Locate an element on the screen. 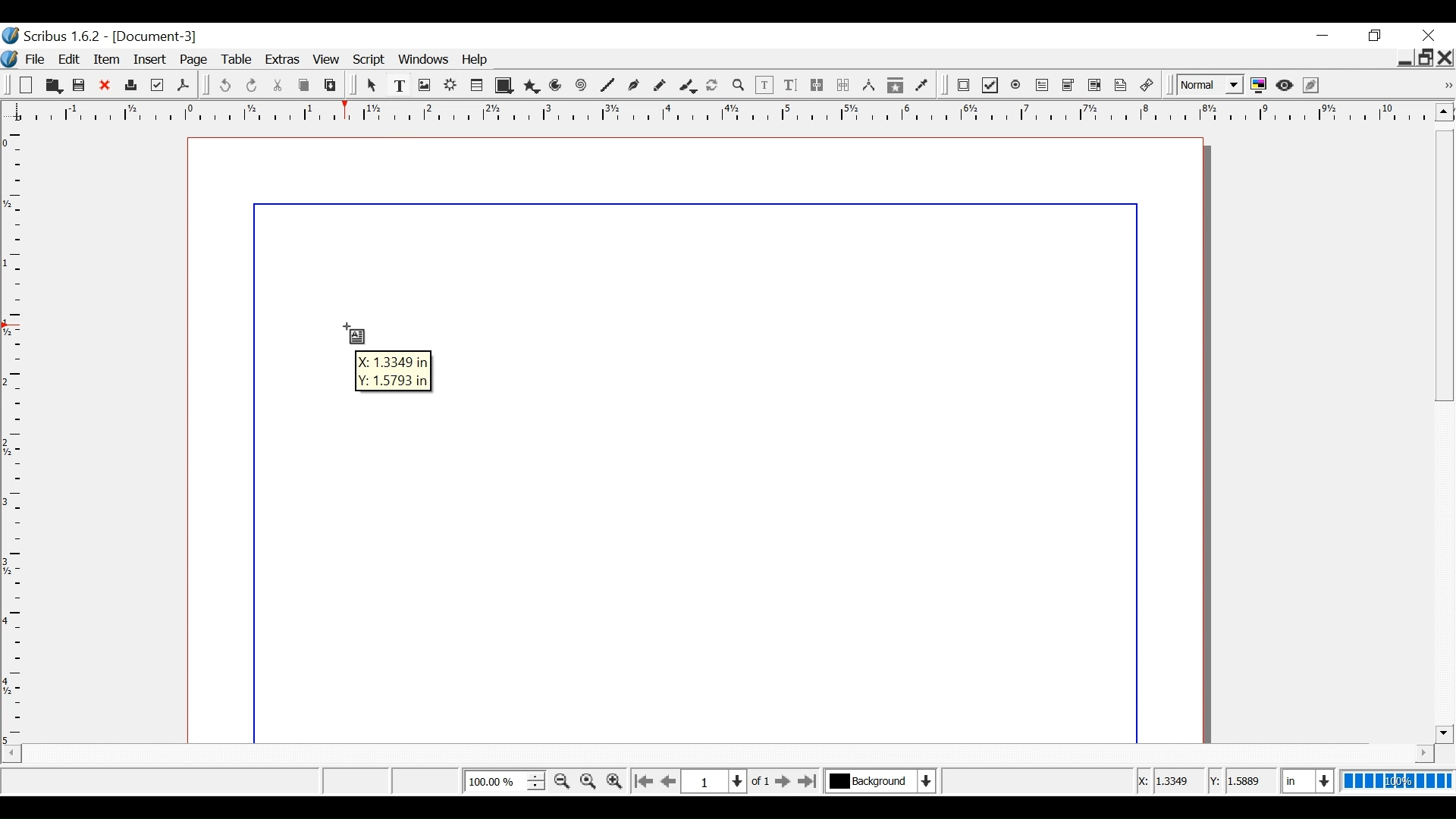  Help is located at coordinates (479, 59).